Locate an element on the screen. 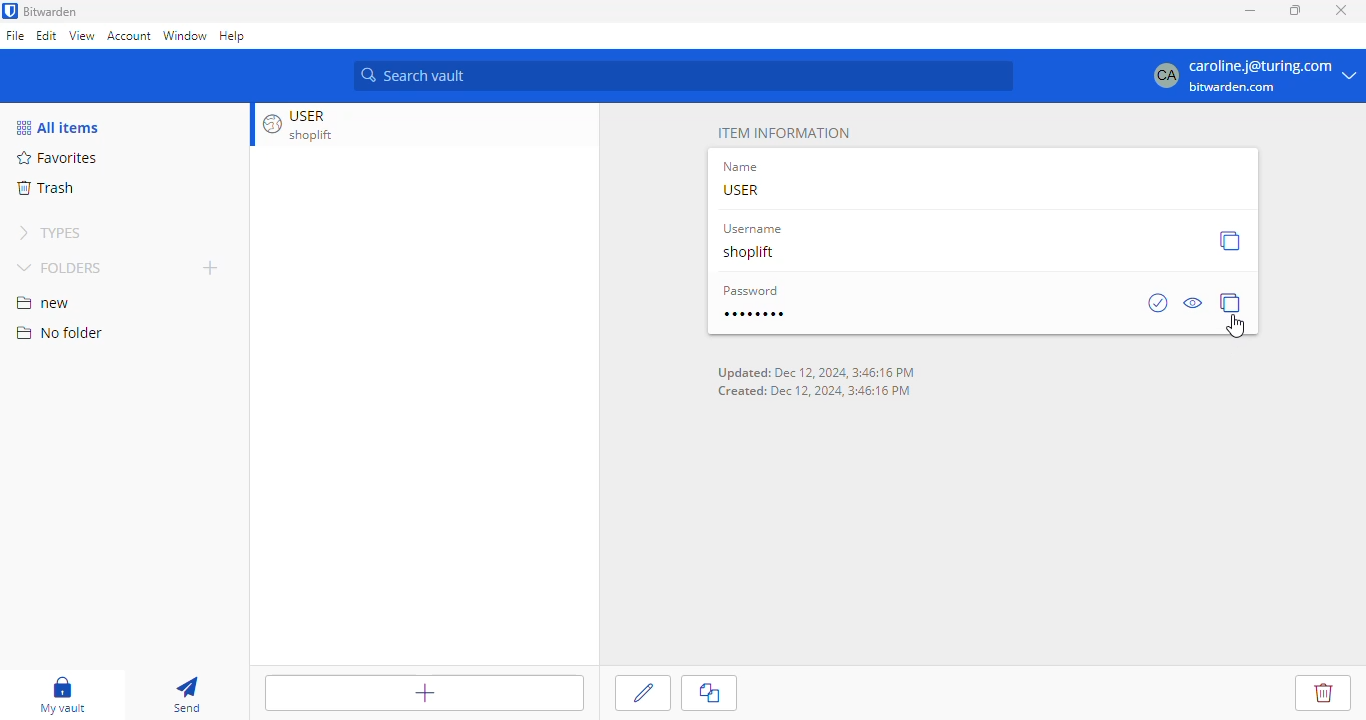 The height and width of the screenshot is (720, 1366). view is located at coordinates (81, 35).